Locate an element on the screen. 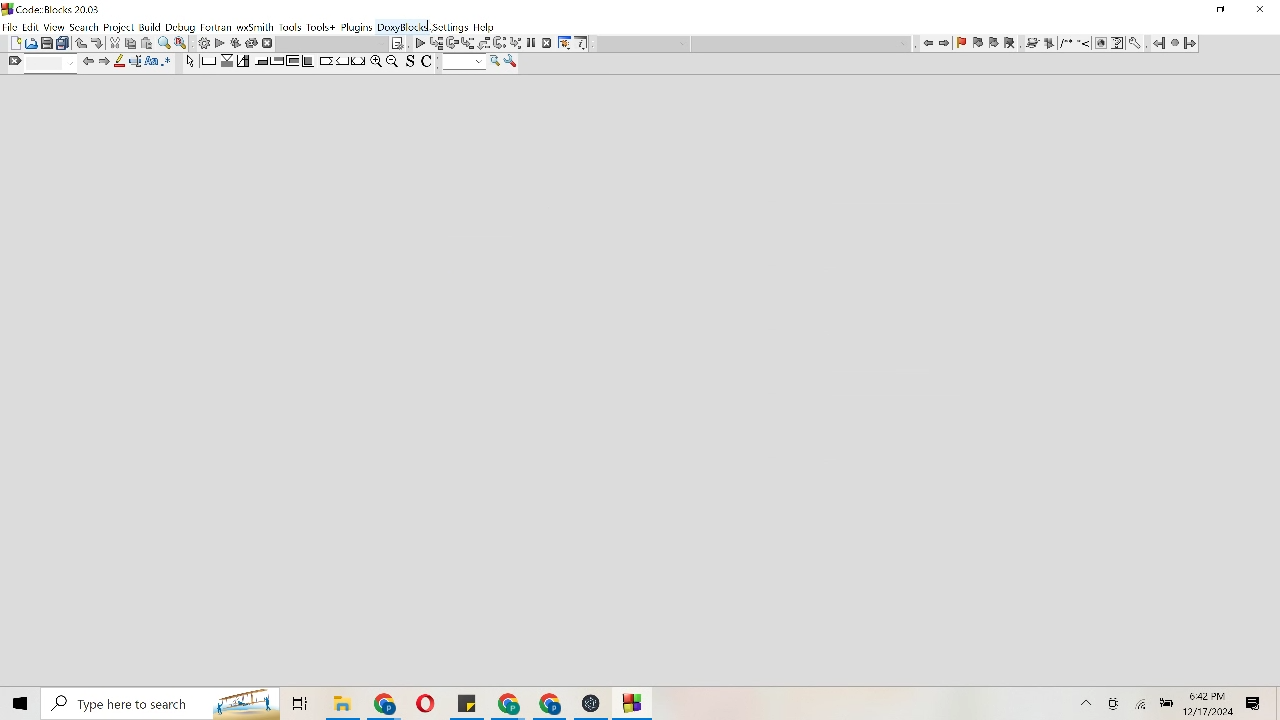 The image size is (1280, 720). Cancel is located at coordinates (548, 43).